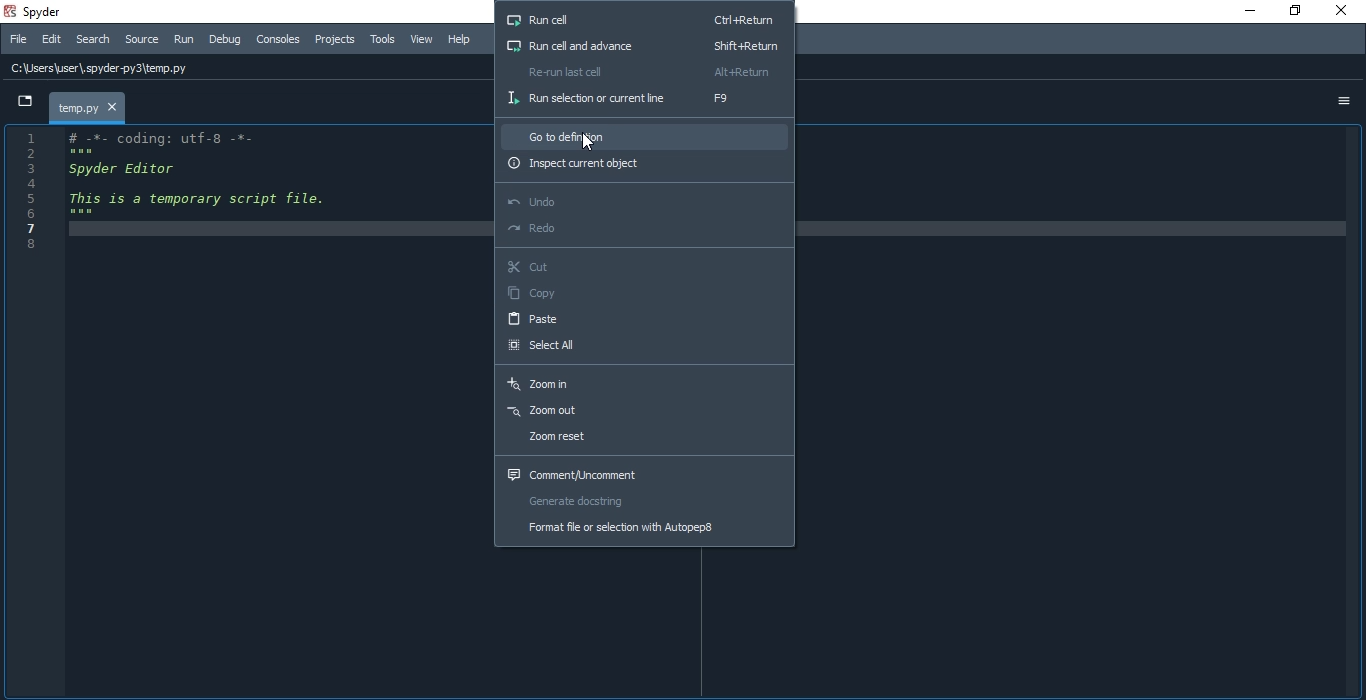 The image size is (1366, 700). Describe the element at coordinates (150, 136) in the screenshot. I see `1  # -*- coding: utf-8 -*-` at that location.